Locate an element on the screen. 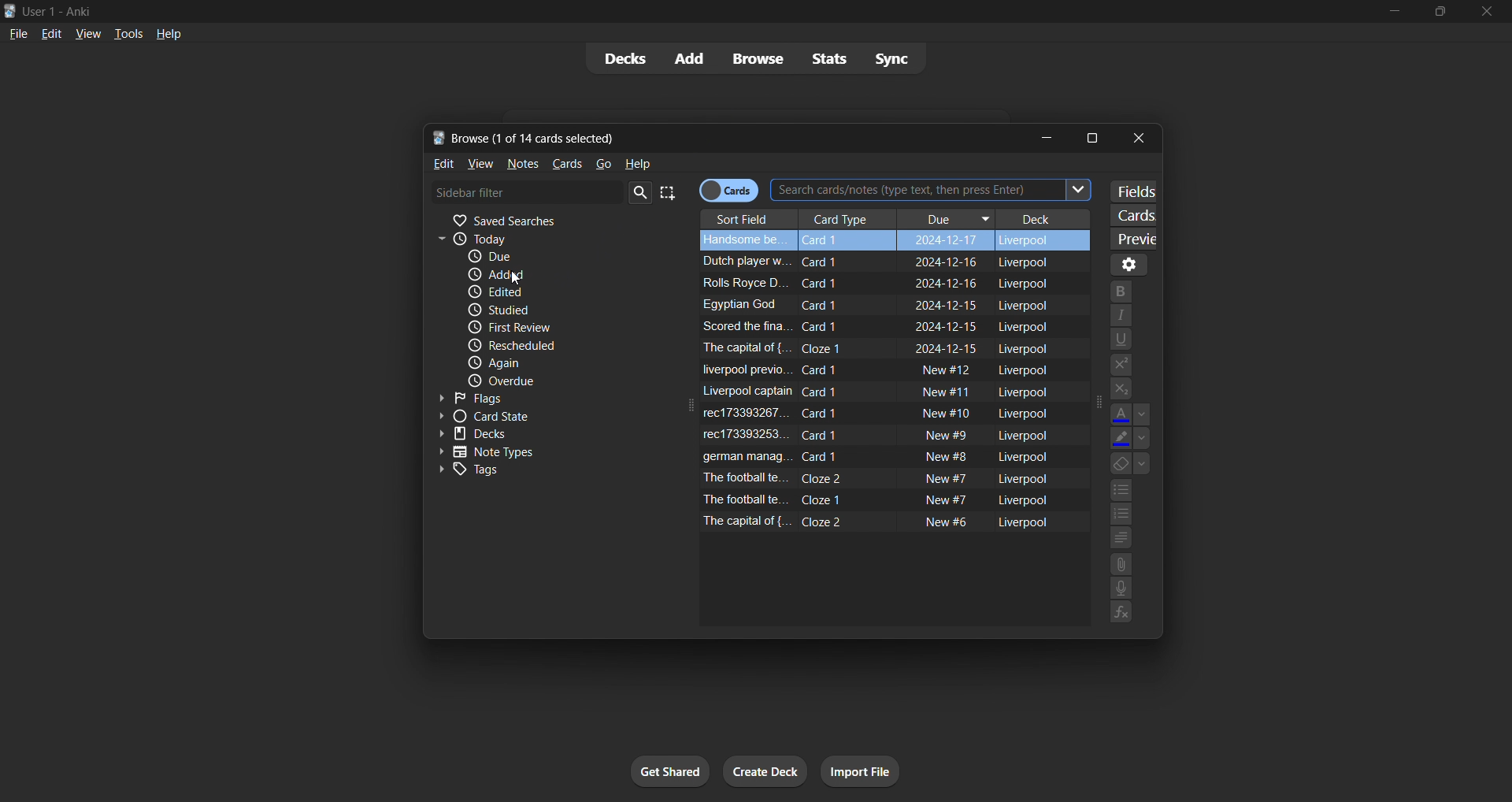 This screenshot has height=802, width=1512. rec173393267... Card 1 New #10 Liverpool is located at coordinates (880, 412).